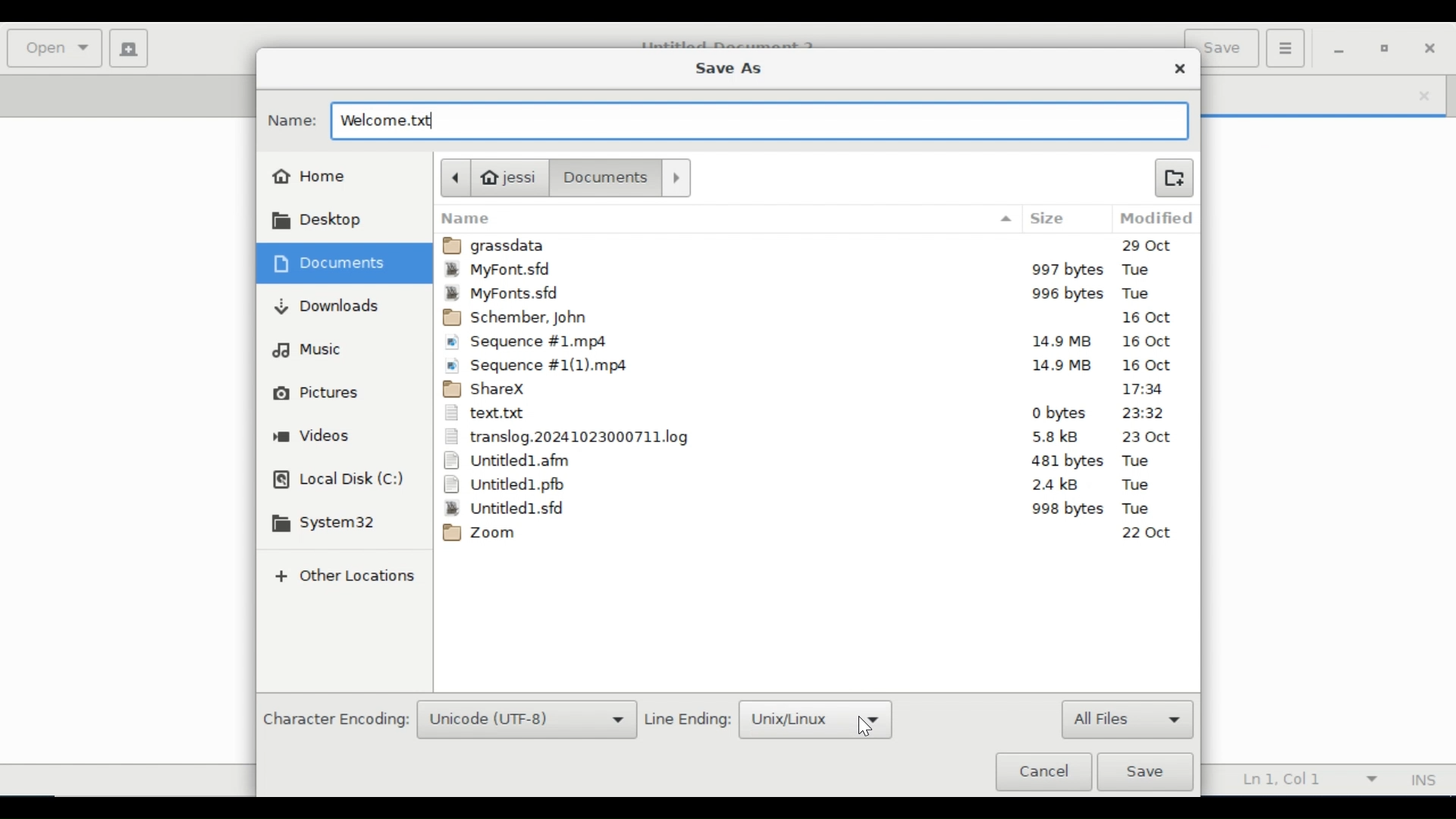  I want to click on Videos, so click(312, 437).